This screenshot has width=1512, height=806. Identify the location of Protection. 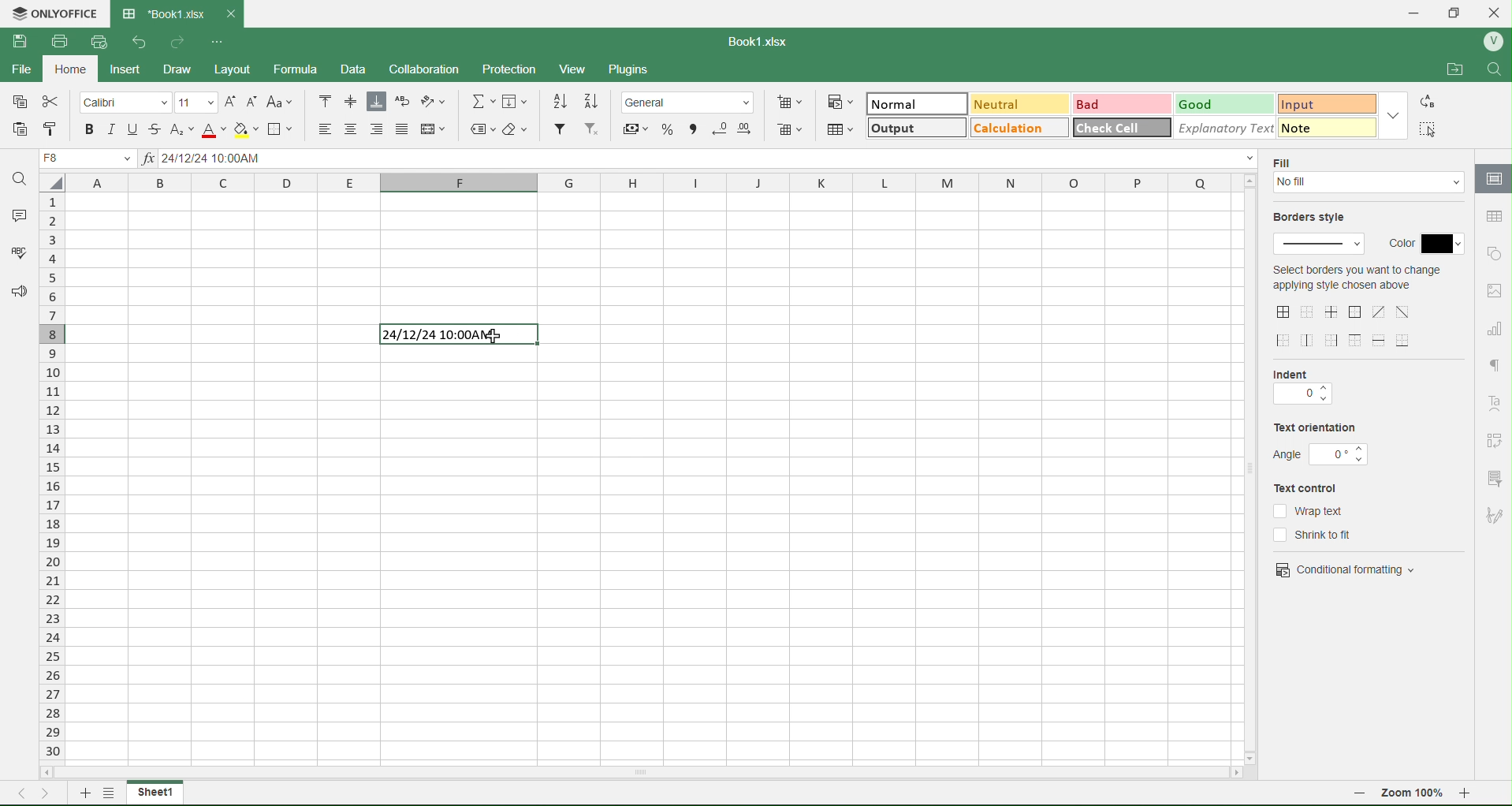
(520, 67).